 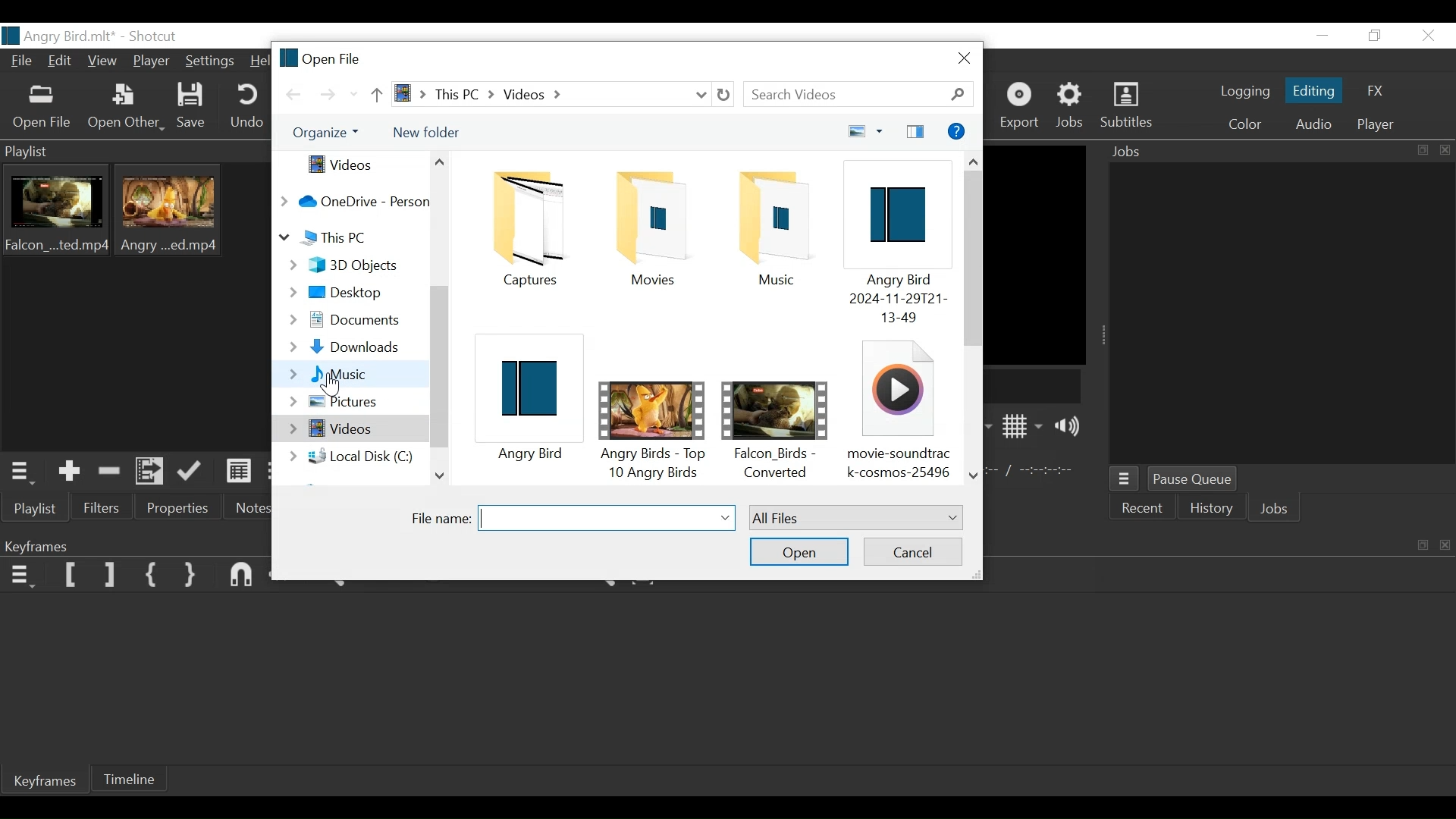 What do you see at coordinates (192, 475) in the screenshot?
I see `Update` at bounding box center [192, 475].